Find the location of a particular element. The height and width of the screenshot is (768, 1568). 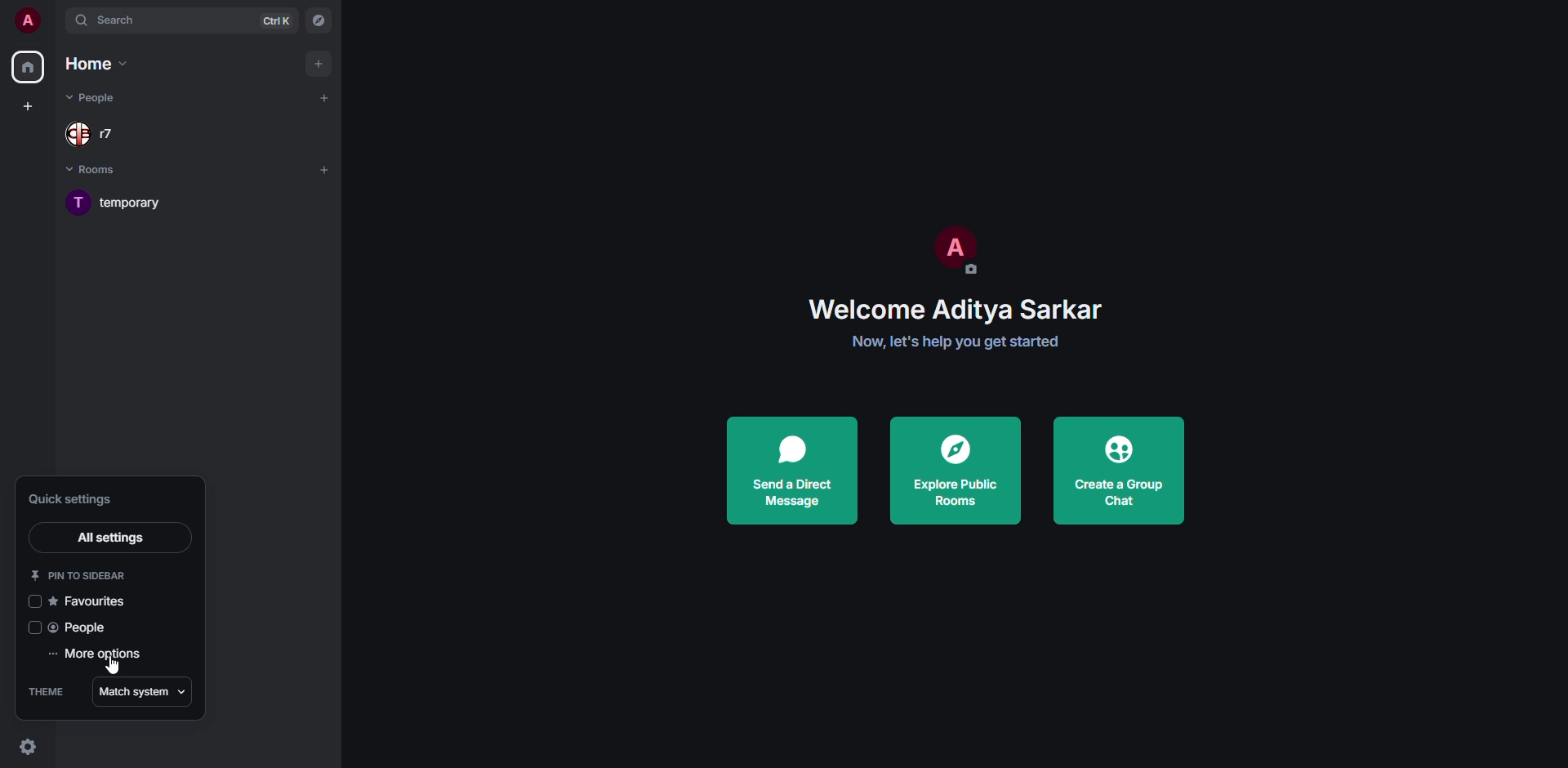

room is located at coordinates (138, 203).